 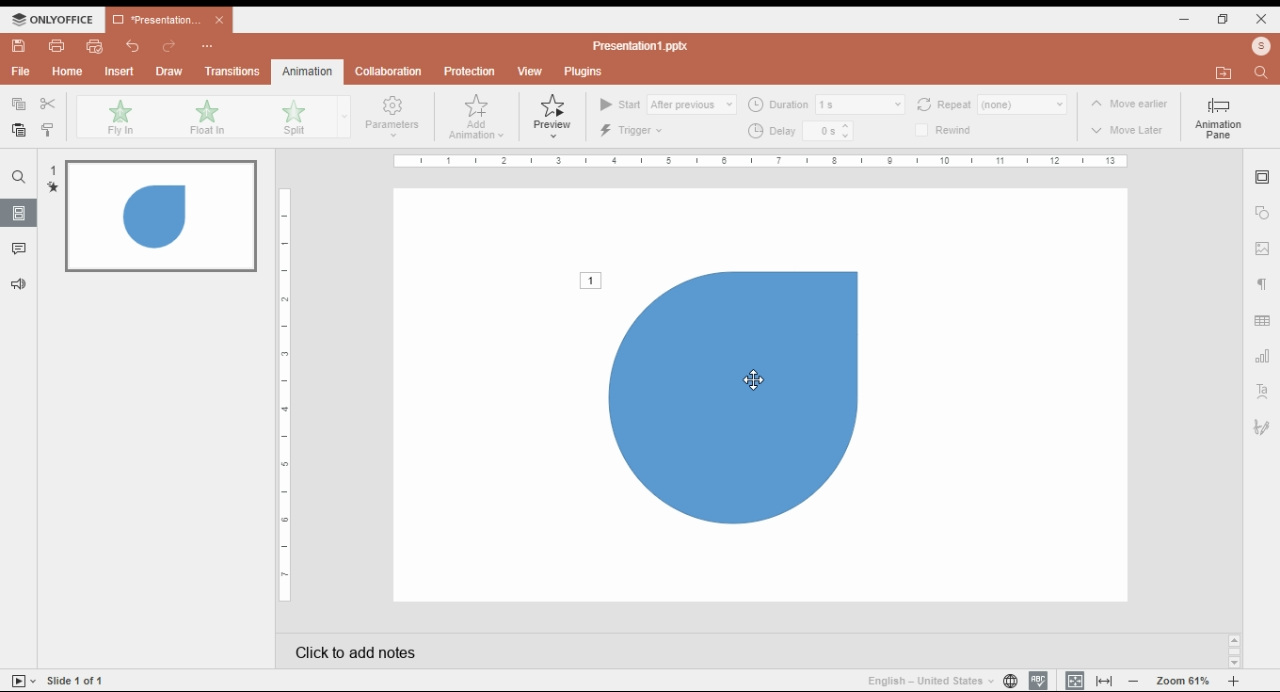 What do you see at coordinates (1262, 248) in the screenshot?
I see `image settings` at bounding box center [1262, 248].